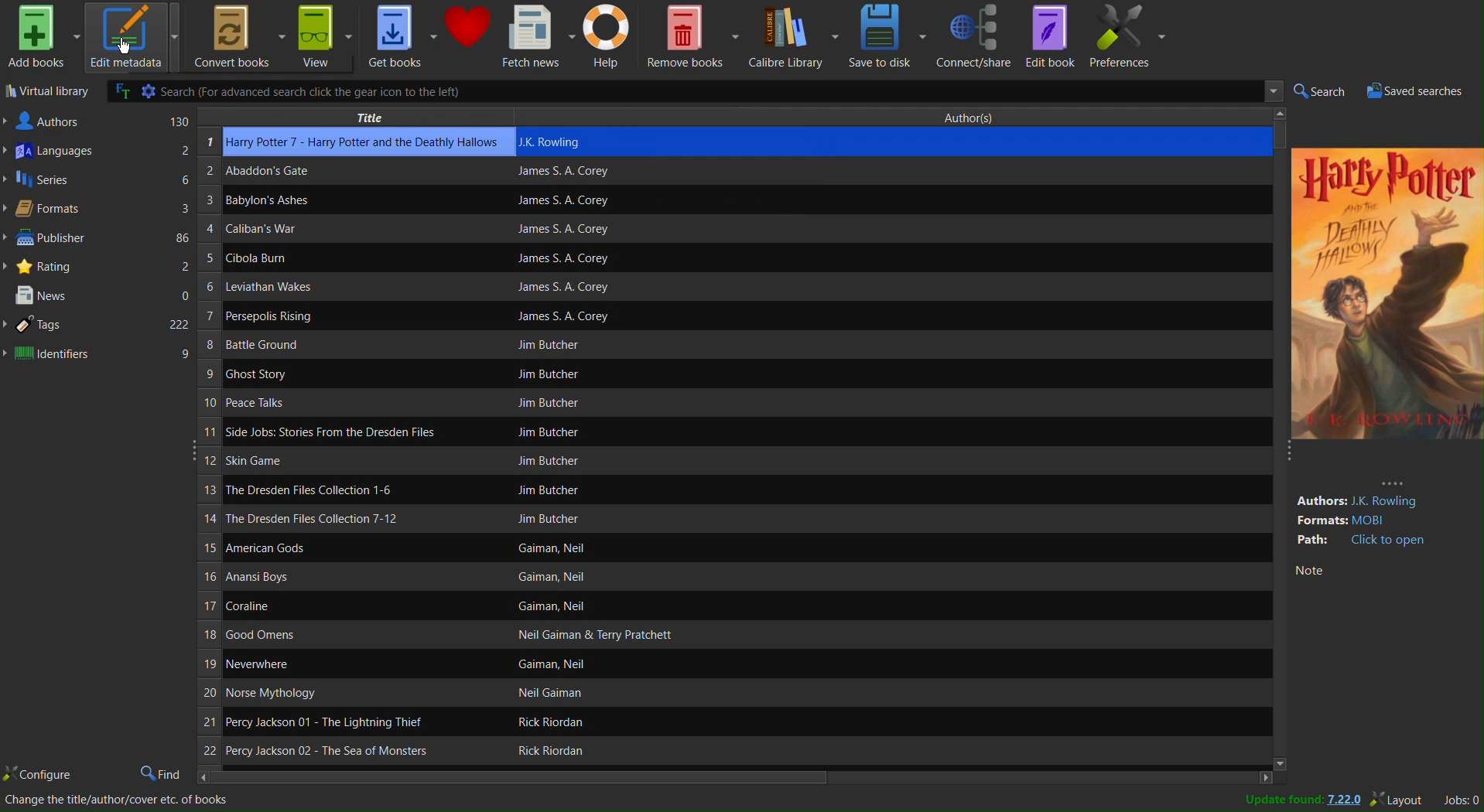 The image size is (1484, 812). Describe the element at coordinates (99, 151) in the screenshot. I see `Languages` at that location.